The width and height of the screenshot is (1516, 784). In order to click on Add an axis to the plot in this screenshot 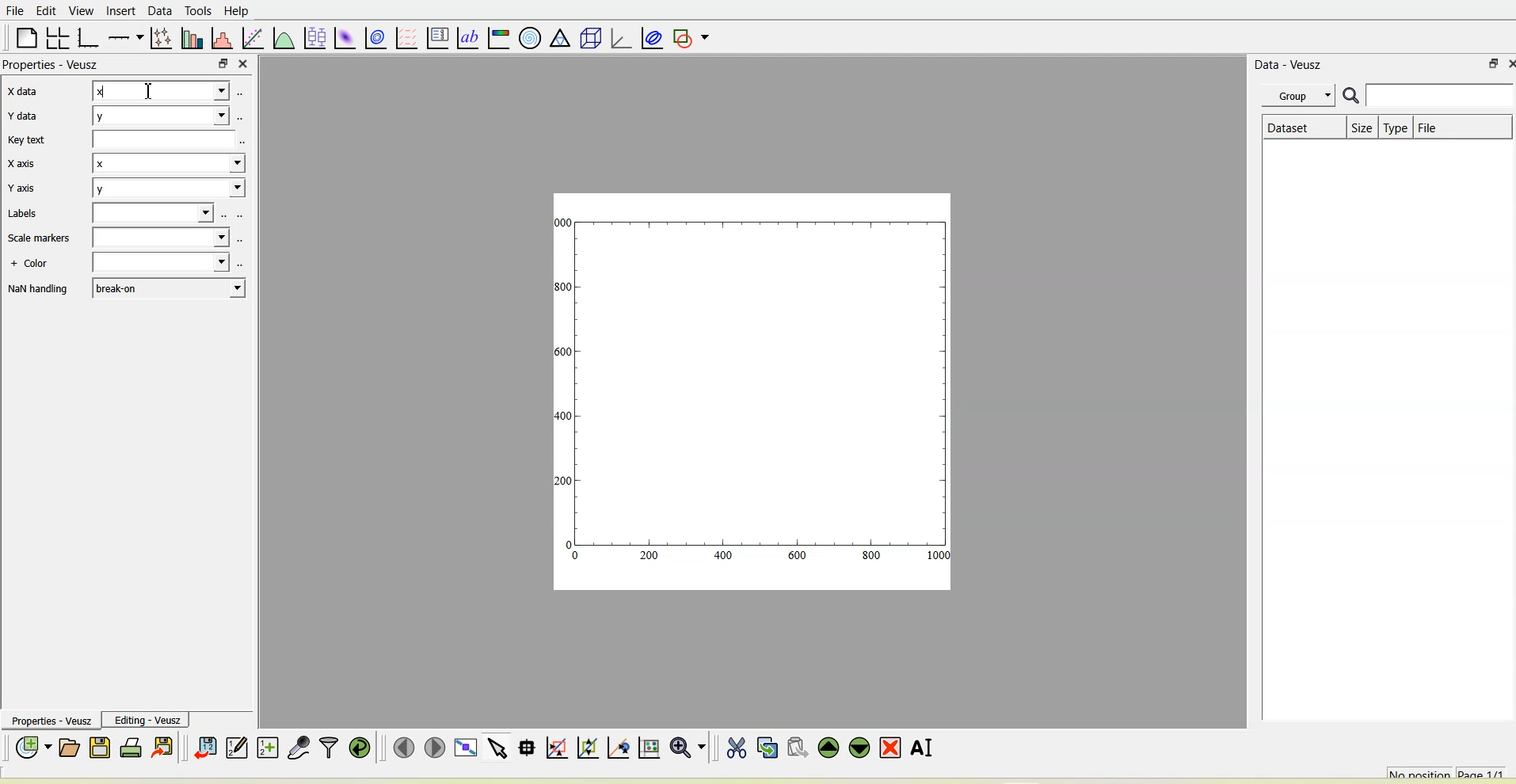, I will do `click(124, 37)`.